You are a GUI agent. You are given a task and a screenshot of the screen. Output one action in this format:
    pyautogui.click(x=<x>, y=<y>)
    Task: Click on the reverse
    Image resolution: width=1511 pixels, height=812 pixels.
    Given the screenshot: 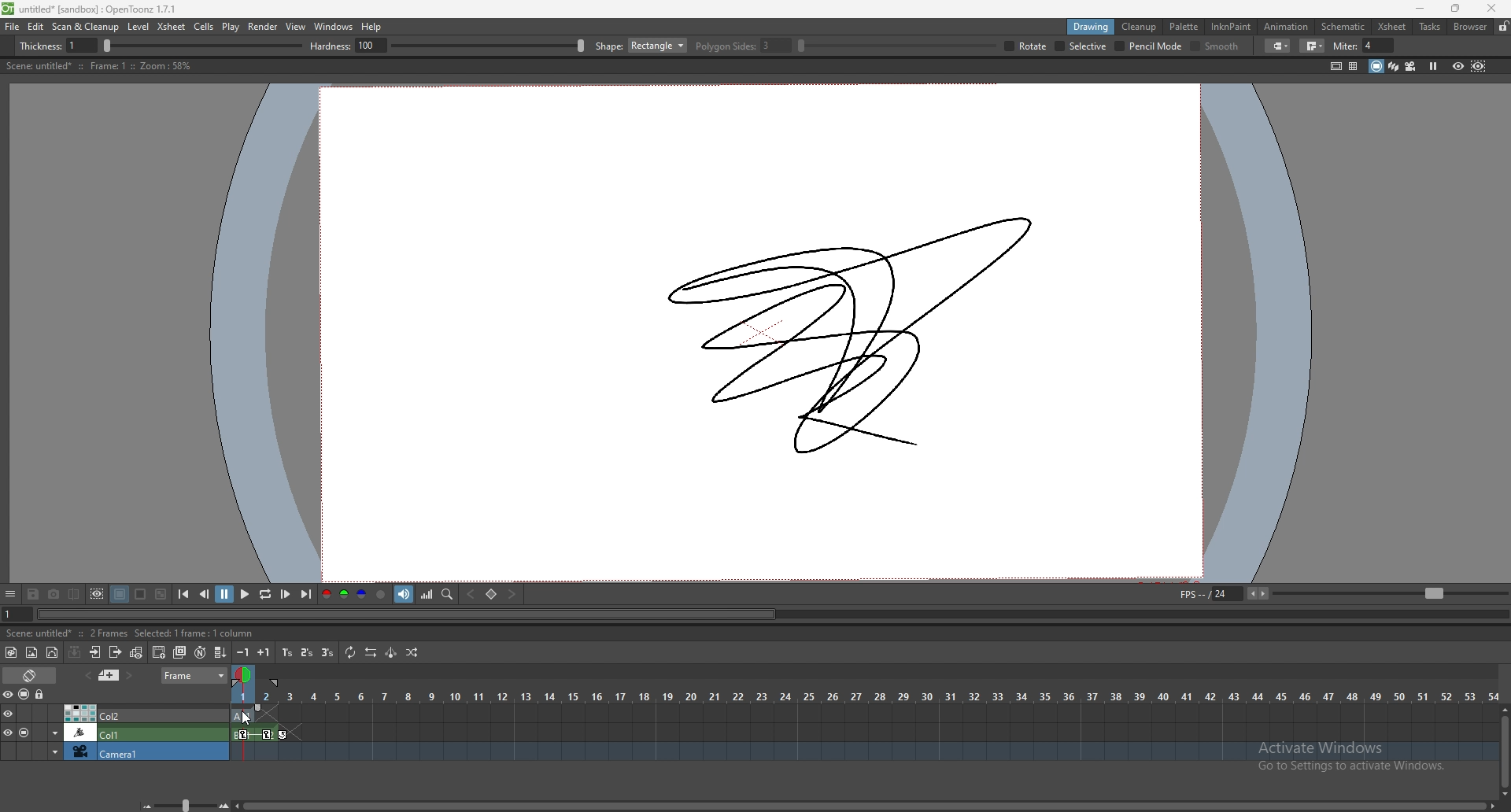 What is the action you would take?
    pyautogui.click(x=371, y=652)
    